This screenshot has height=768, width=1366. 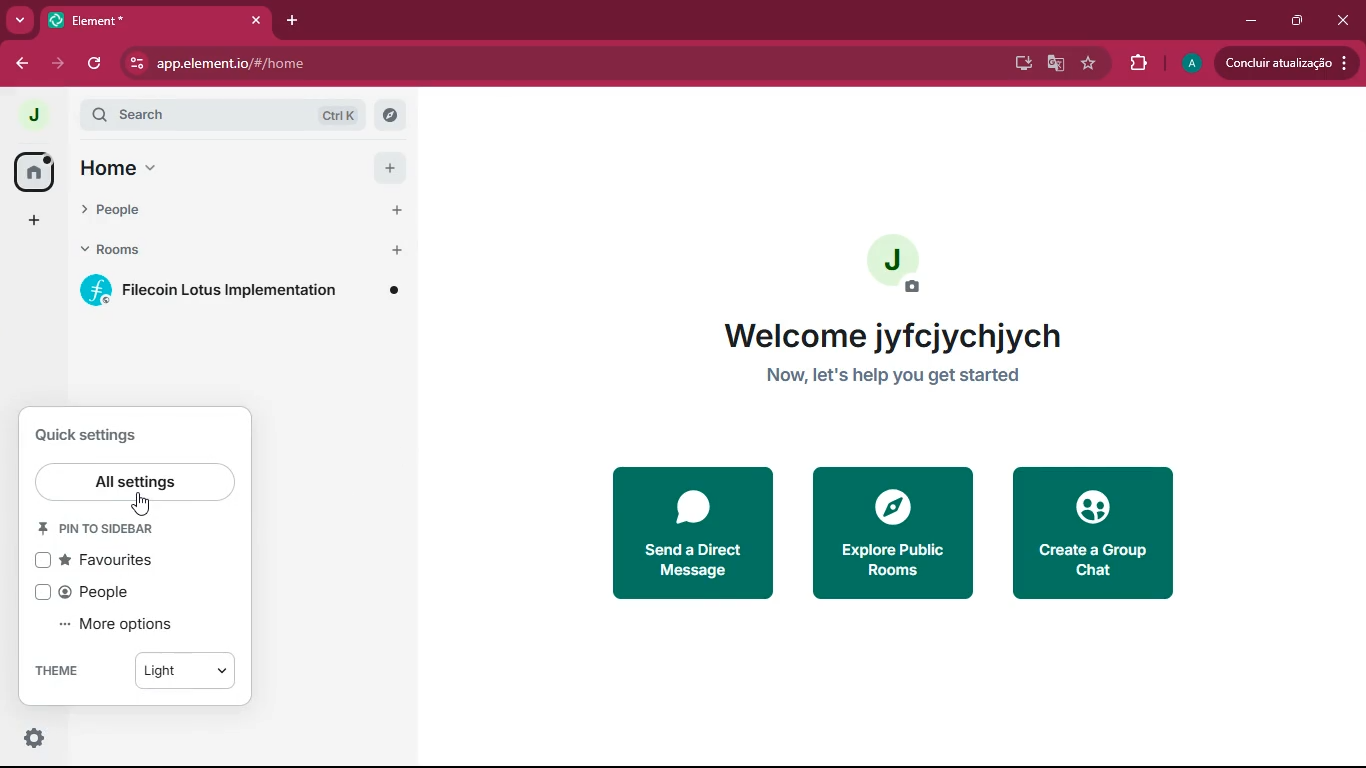 I want to click on light, so click(x=184, y=670).